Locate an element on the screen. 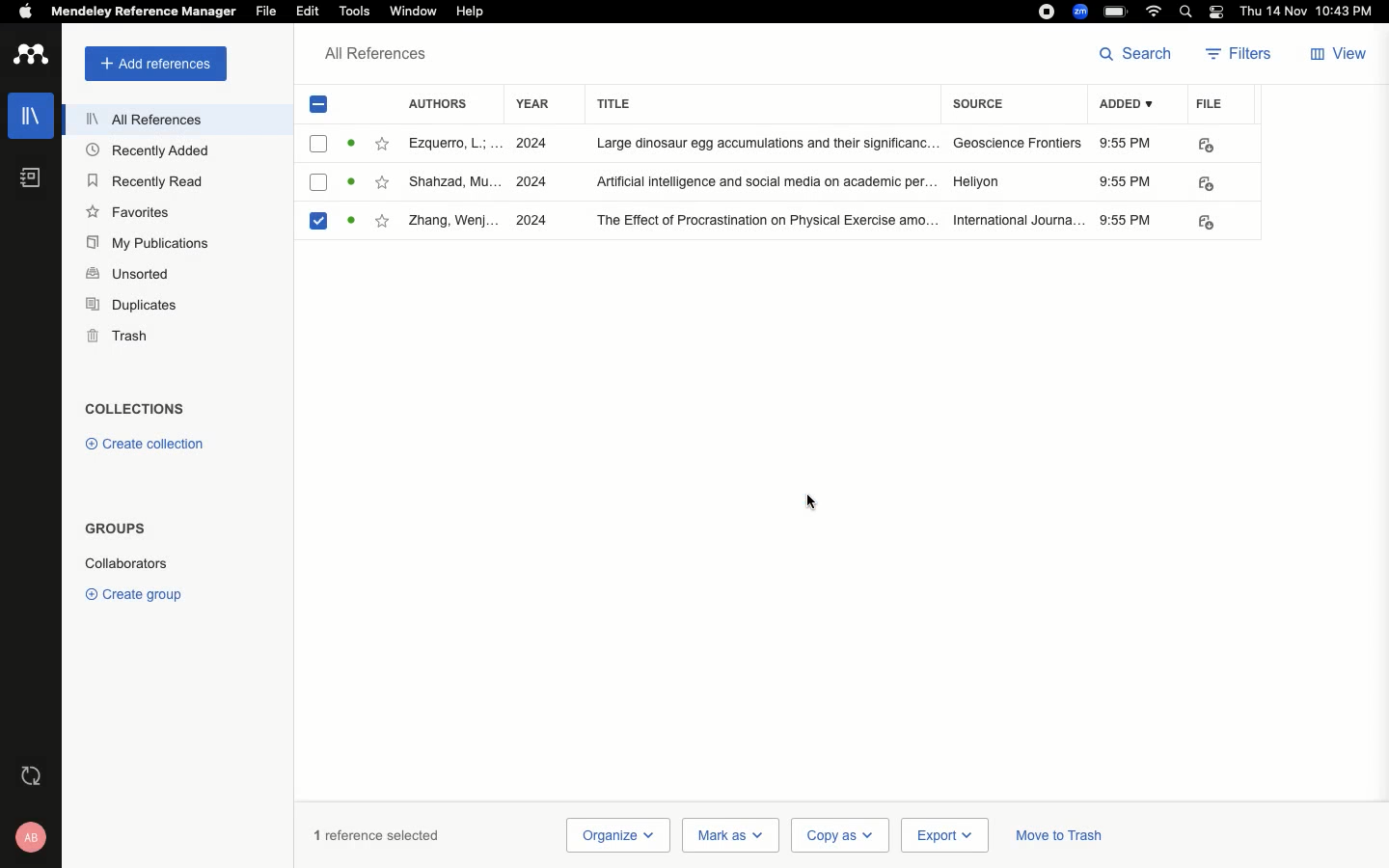 This screenshot has height=868, width=1389. Cursor is located at coordinates (816, 501).